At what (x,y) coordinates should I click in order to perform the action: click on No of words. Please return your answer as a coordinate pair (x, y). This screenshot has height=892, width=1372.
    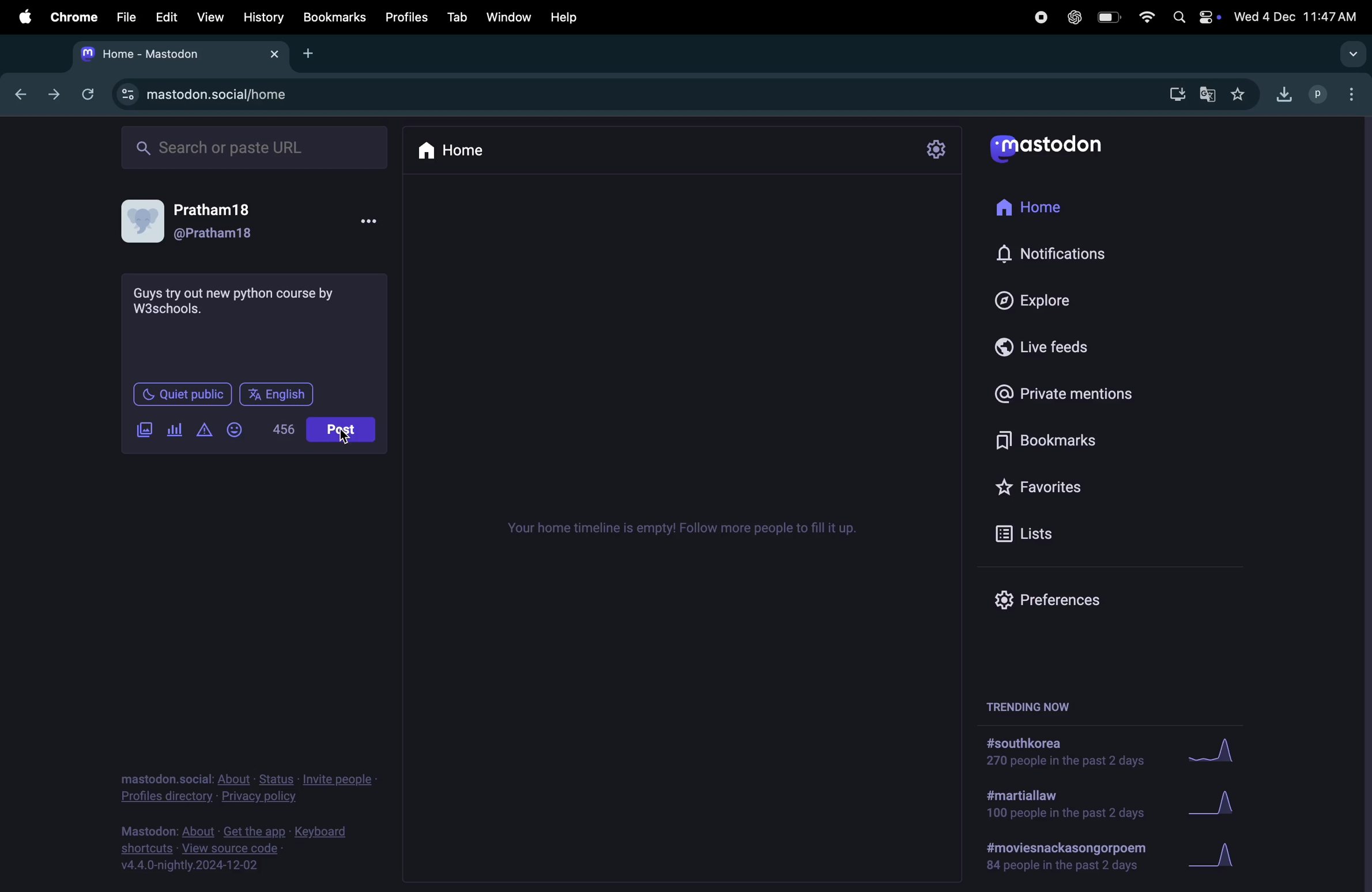
    Looking at the image, I should click on (282, 429).